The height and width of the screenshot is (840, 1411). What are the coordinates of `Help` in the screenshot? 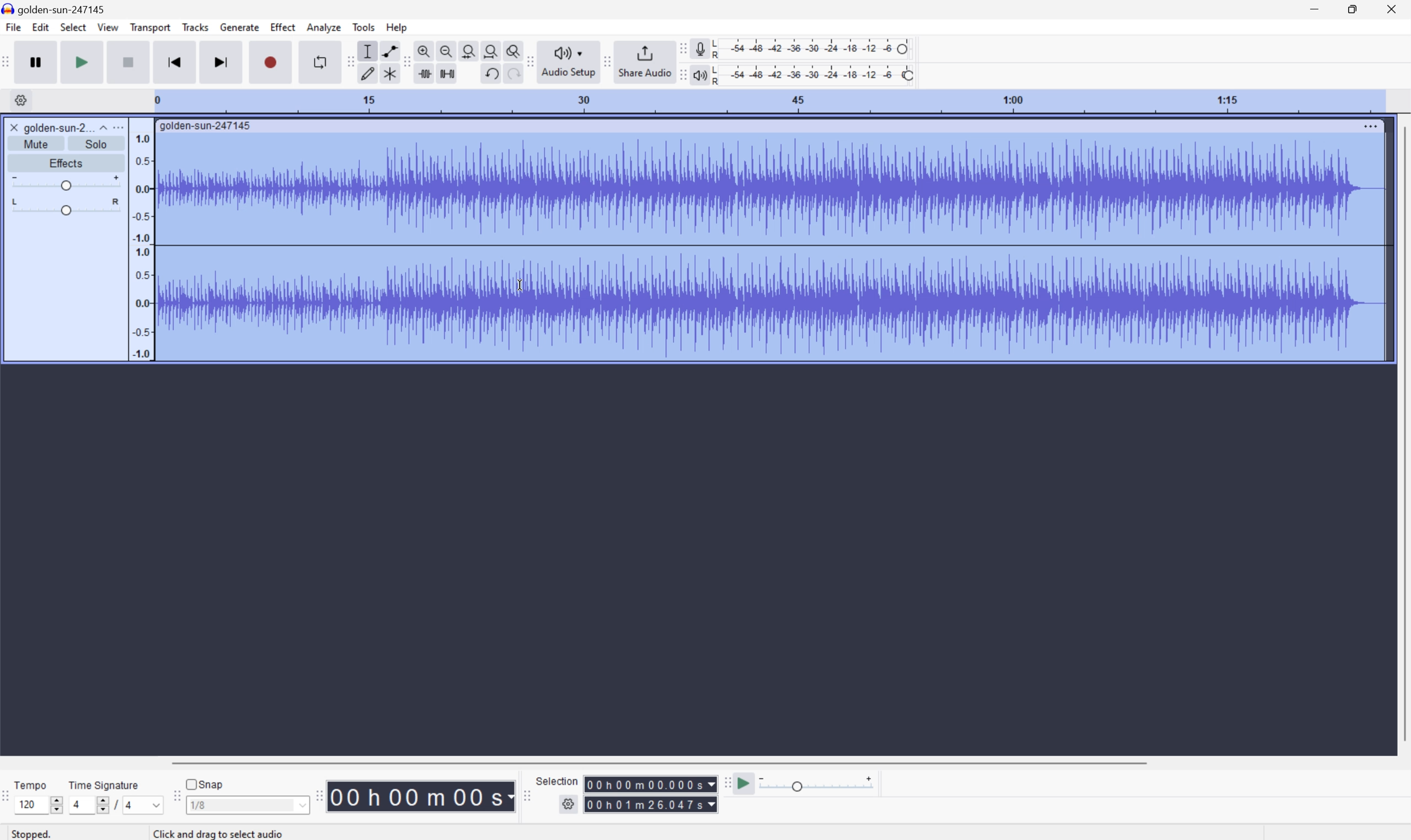 It's located at (398, 28).